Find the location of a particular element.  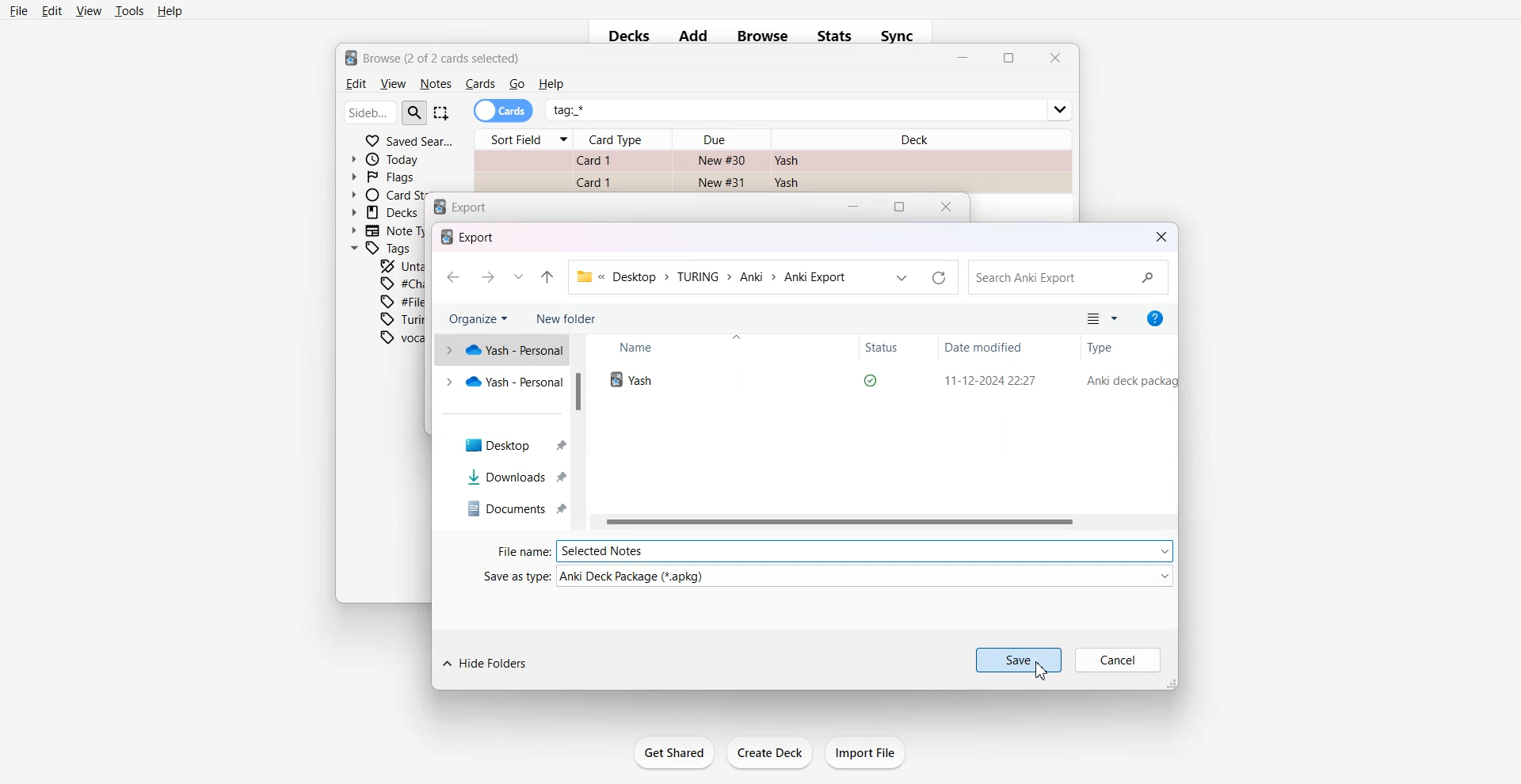

File Name is located at coordinates (834, 550).